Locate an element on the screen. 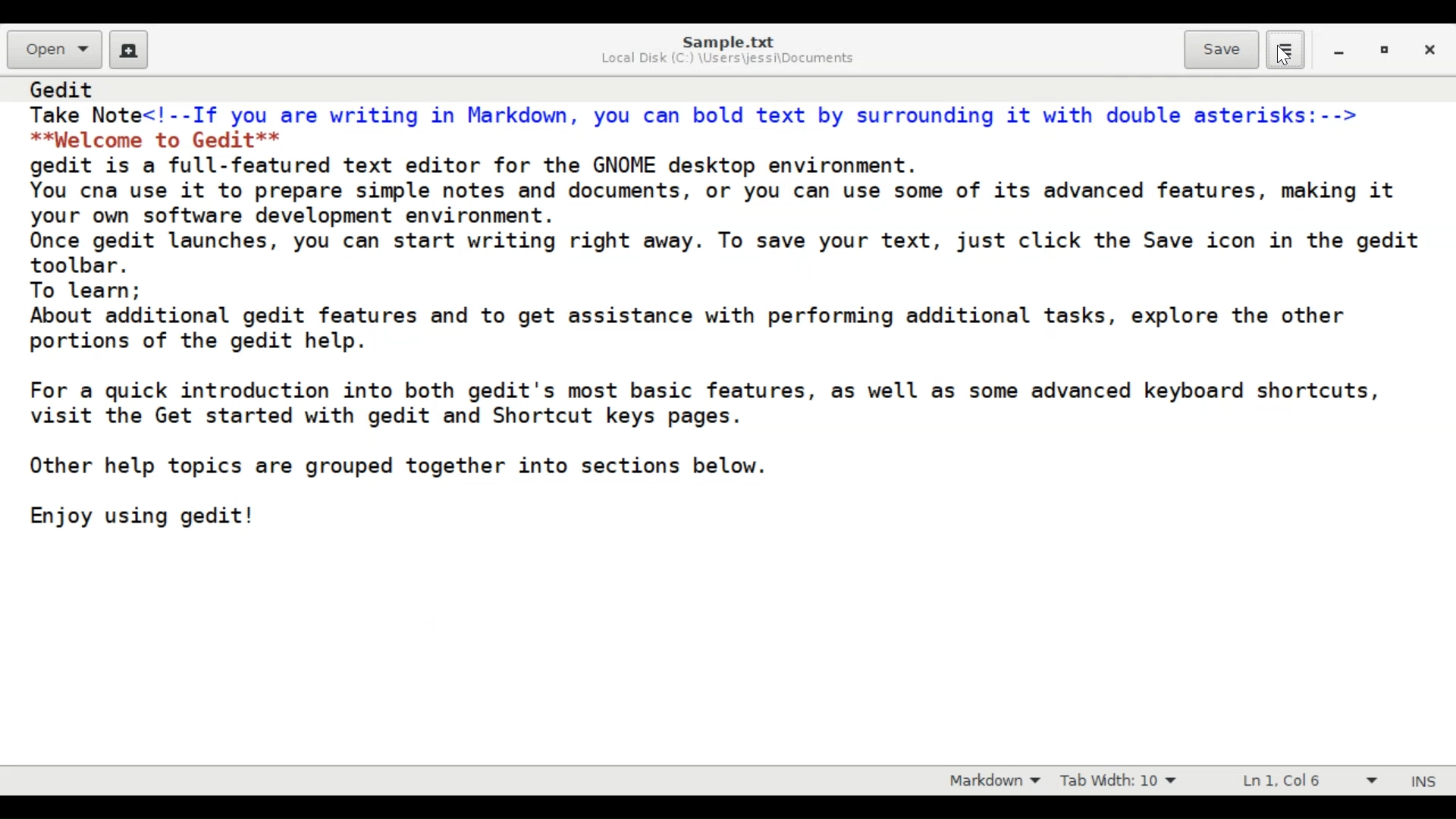 This screenshot has height=819, width=1456. Tab Width: 10 is located at coordinates (1126, 780).